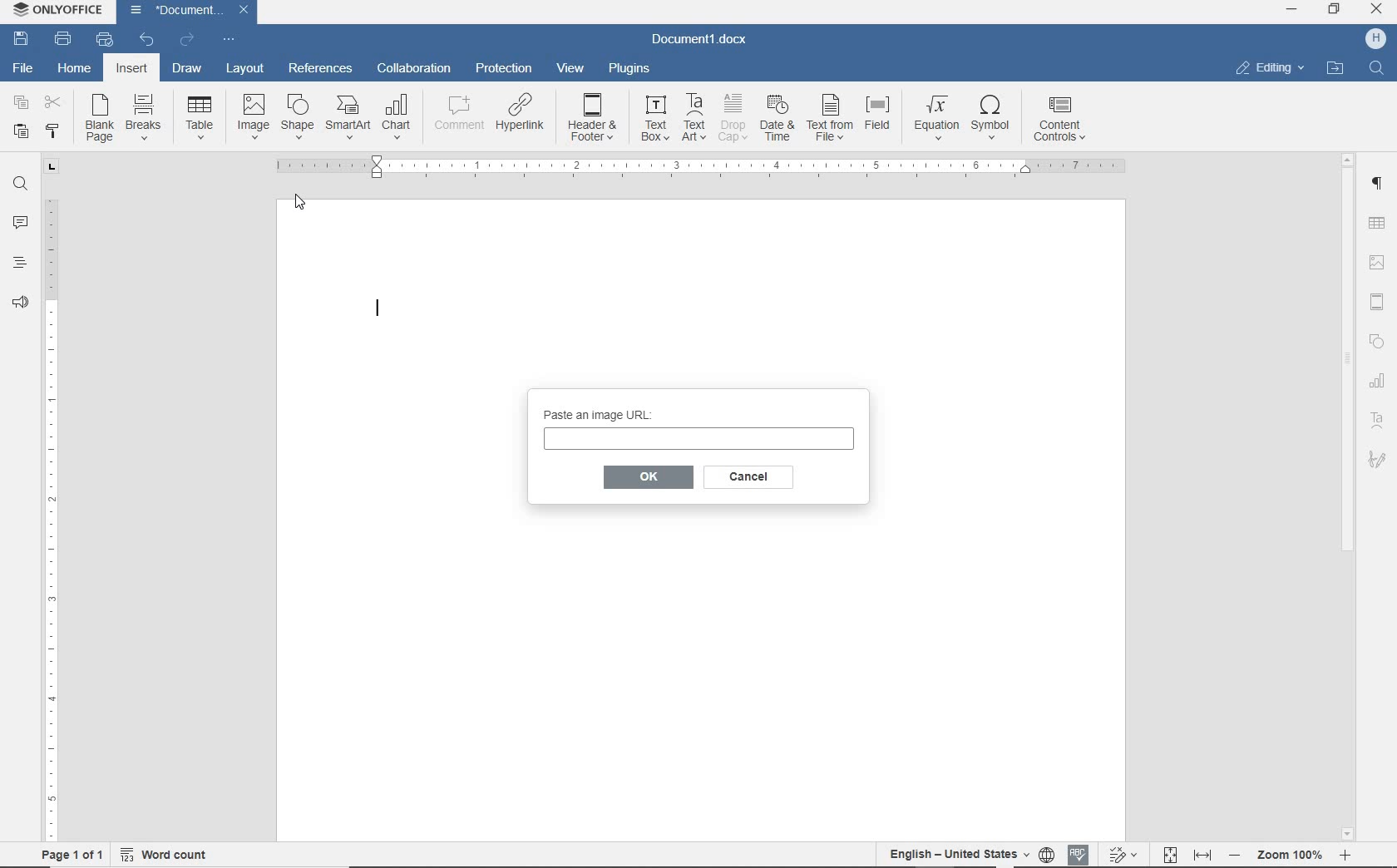 This screenshot has height=868, width=1397. I want to click on signature, so click(1380, 461).